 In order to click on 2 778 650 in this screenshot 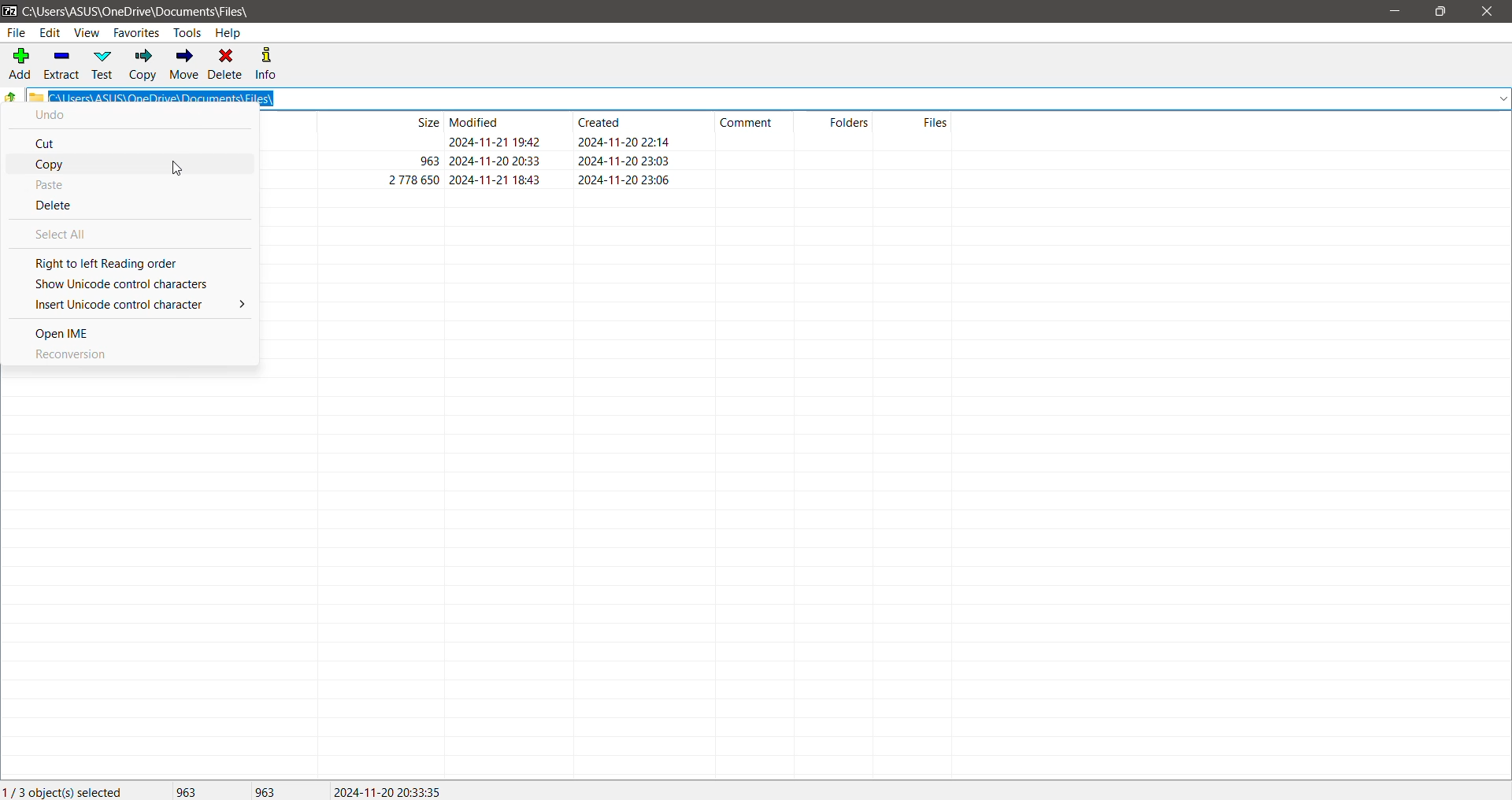, I will do `click(414, 179)`.